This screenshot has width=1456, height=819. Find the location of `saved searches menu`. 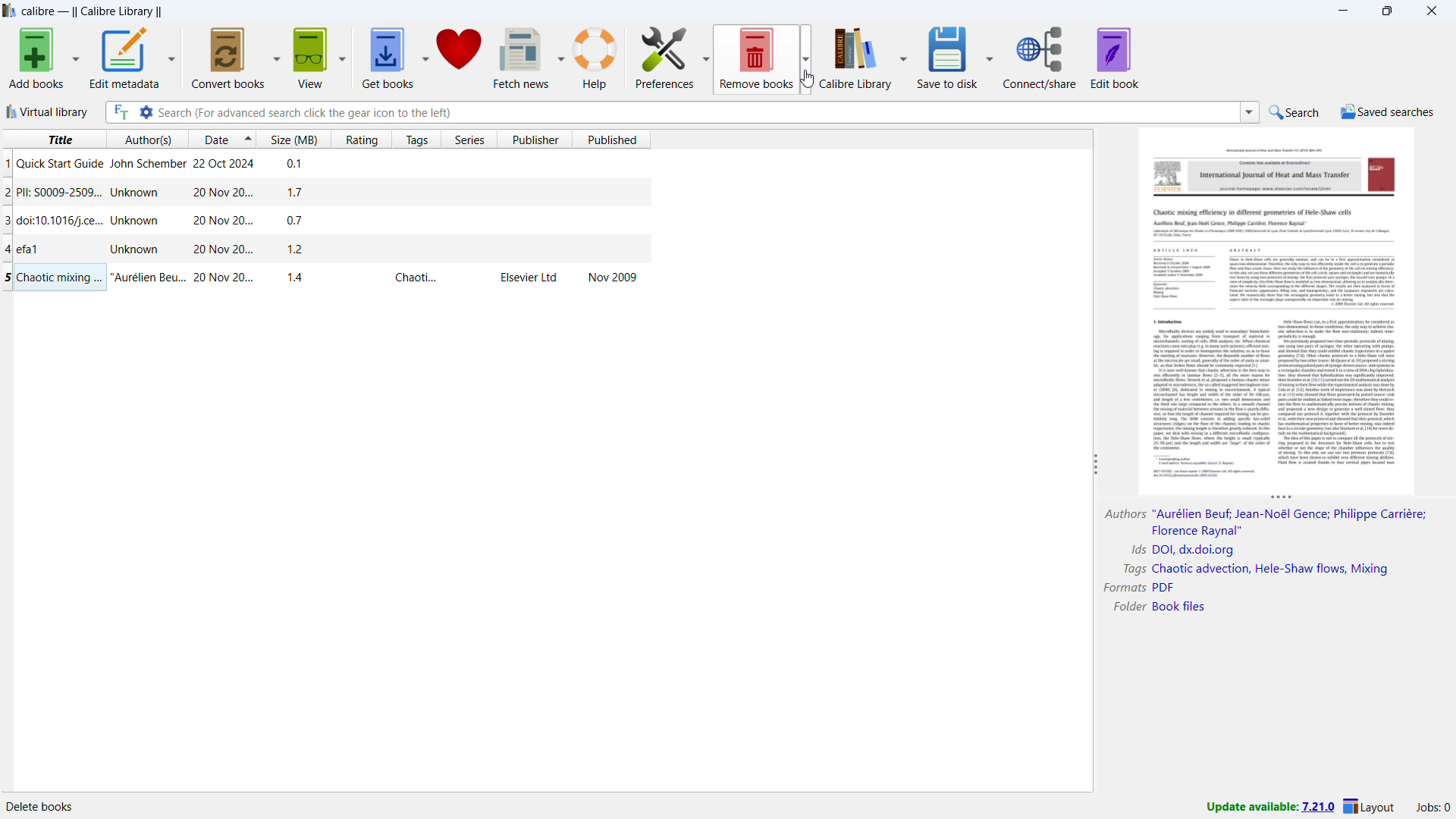

saved searches menu is located at coordinates (1387, 111).